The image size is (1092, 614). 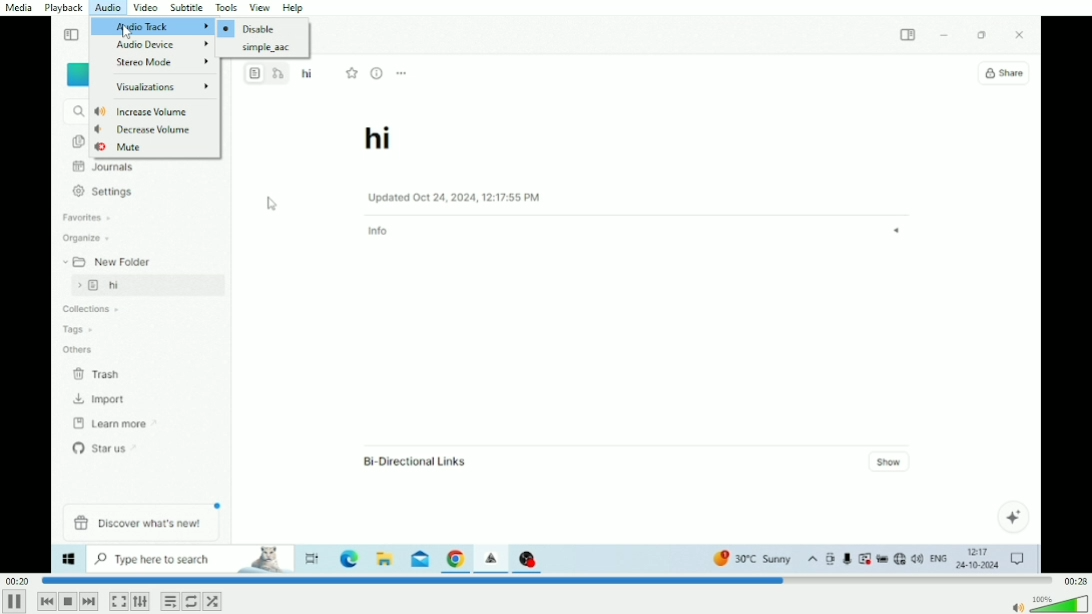 I want to click on Random, so click(x=212, y=601).